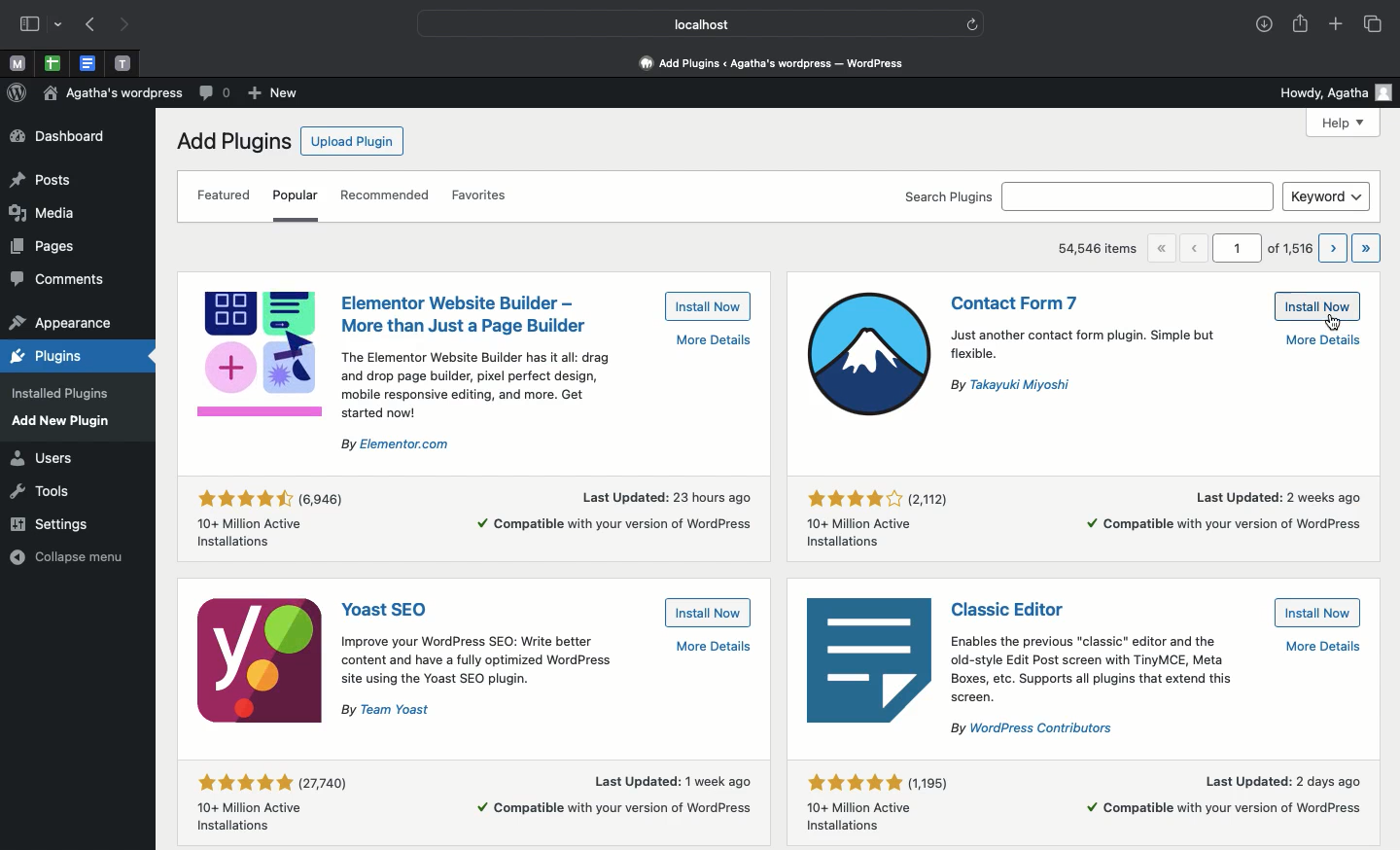 The width and height of the screenshot is (1400, 850). Describe the element at coordinates (231, 140) in the screenshot. I see `Add plugins` at that location.